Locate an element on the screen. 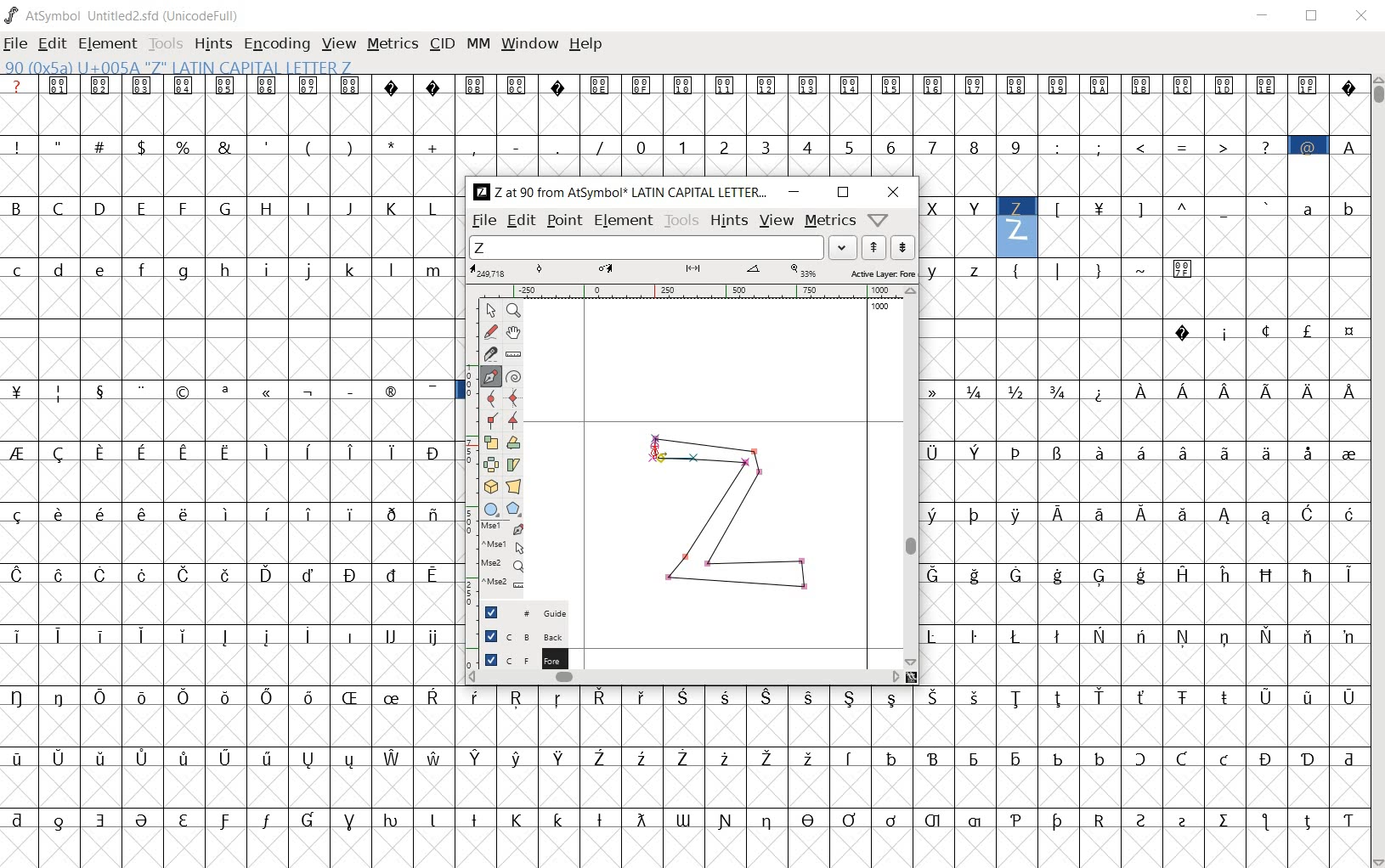 Image resolution: width=1385 pixels, height=868 pixels. element is located at coordinates (624, 219).